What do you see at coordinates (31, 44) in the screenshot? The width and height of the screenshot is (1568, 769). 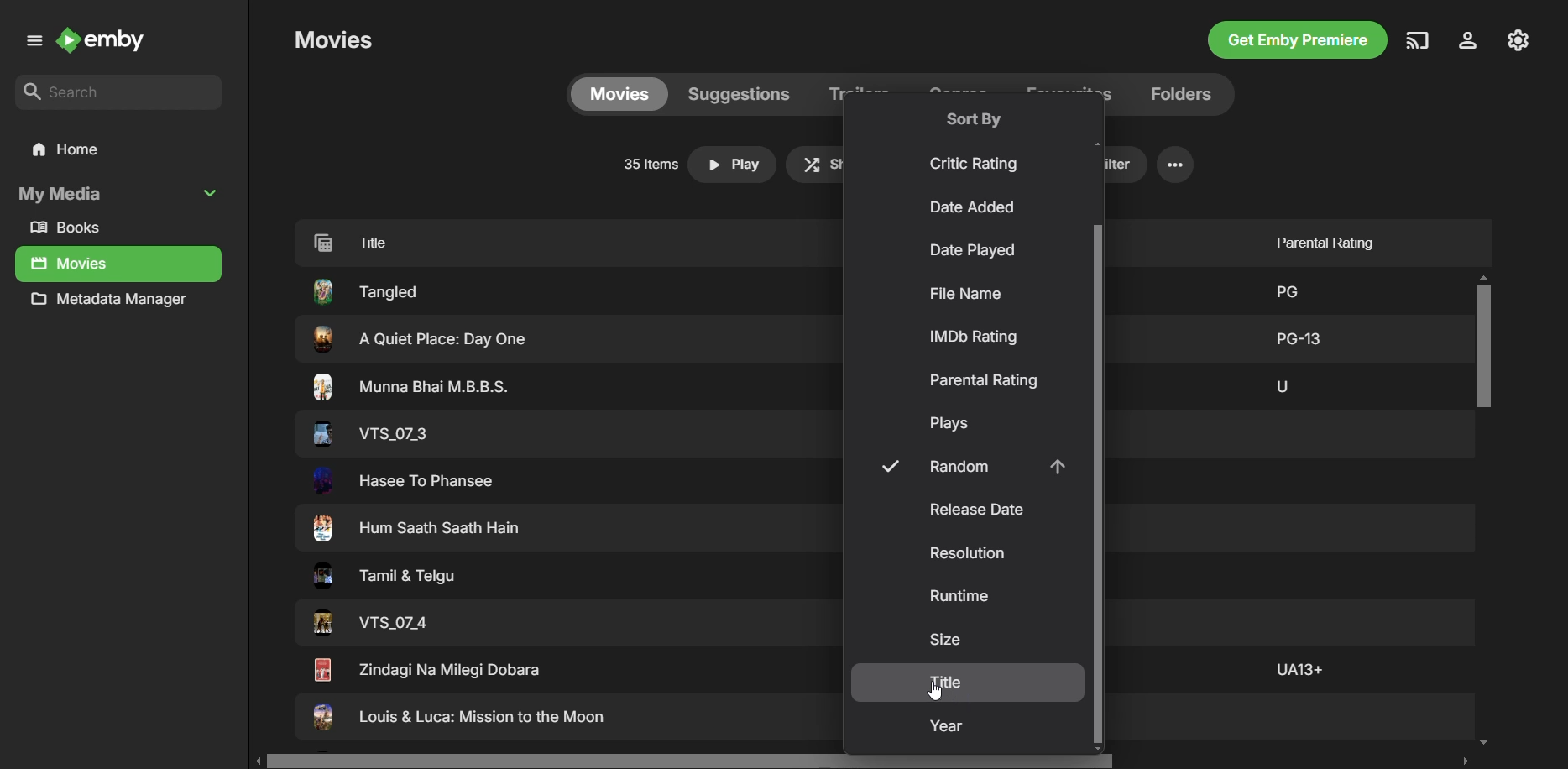 I see `Expand/Collapse` at bounding box center [31, 44].